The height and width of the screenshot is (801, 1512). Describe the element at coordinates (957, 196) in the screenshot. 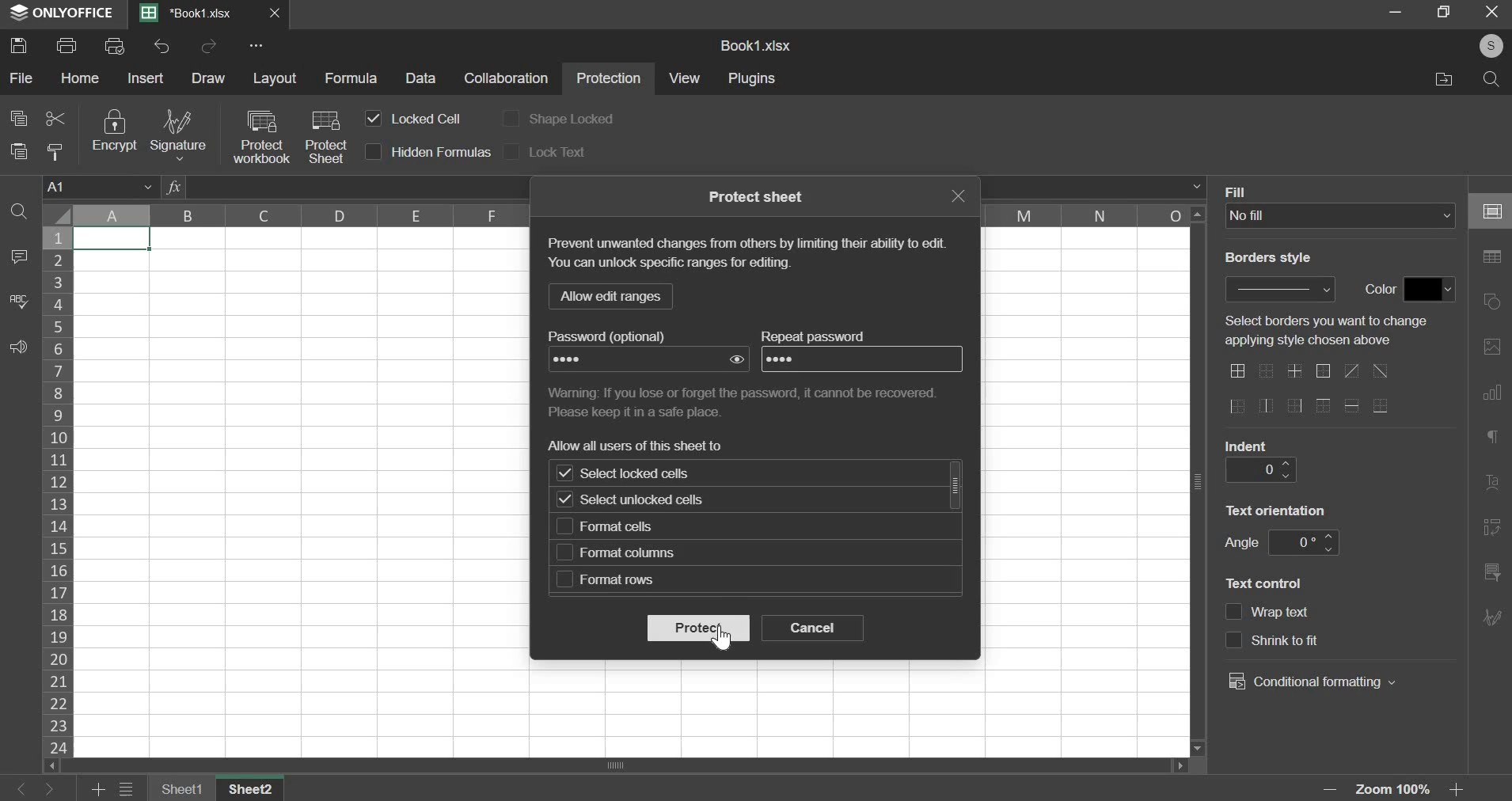

I see `exit` at that location.